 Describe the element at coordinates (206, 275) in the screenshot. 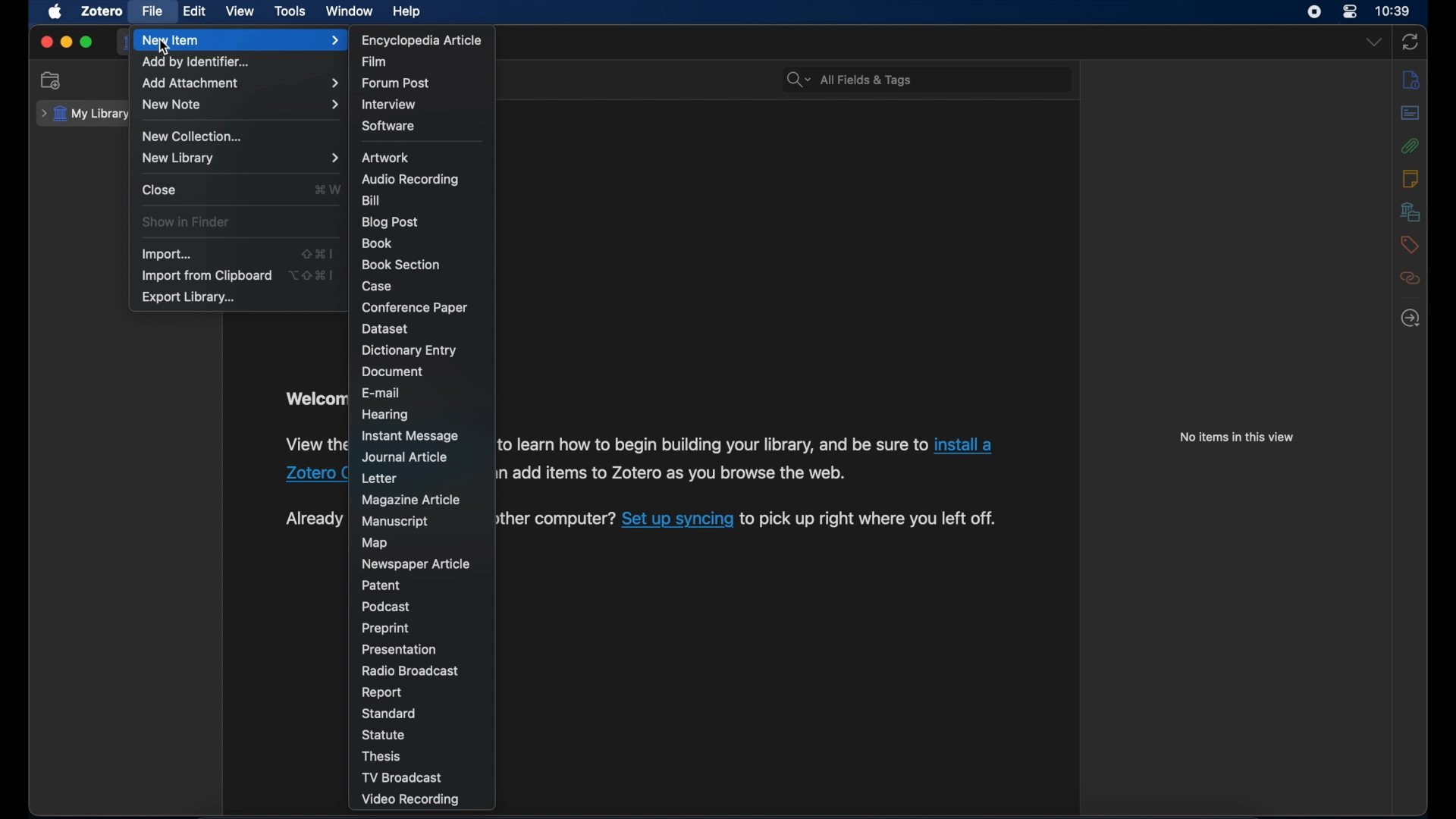

I see `import from clipboard` at that location.